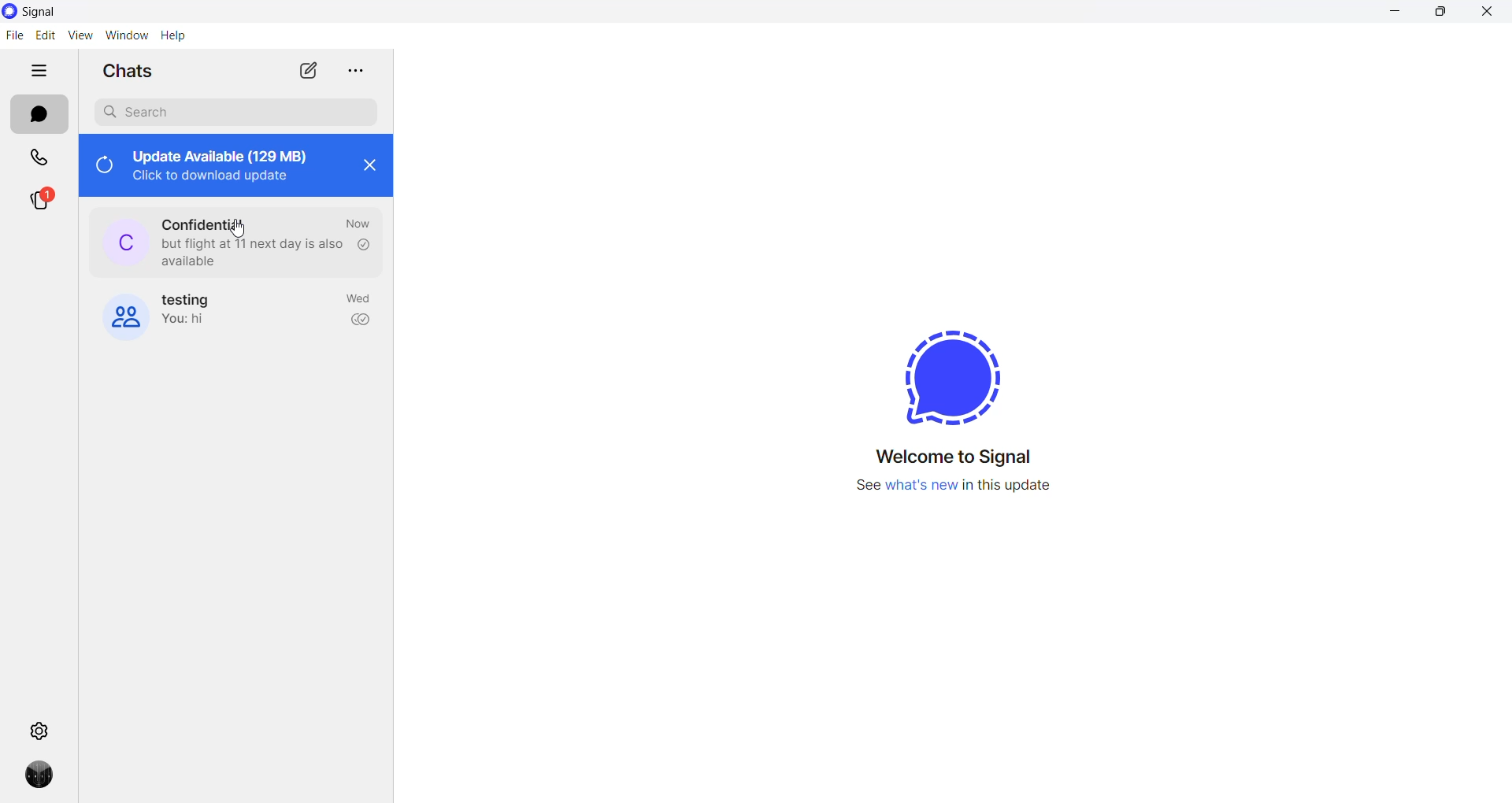 The height and width of the screenshot is (803, 1512). I want to click on update, so click(228, 164).